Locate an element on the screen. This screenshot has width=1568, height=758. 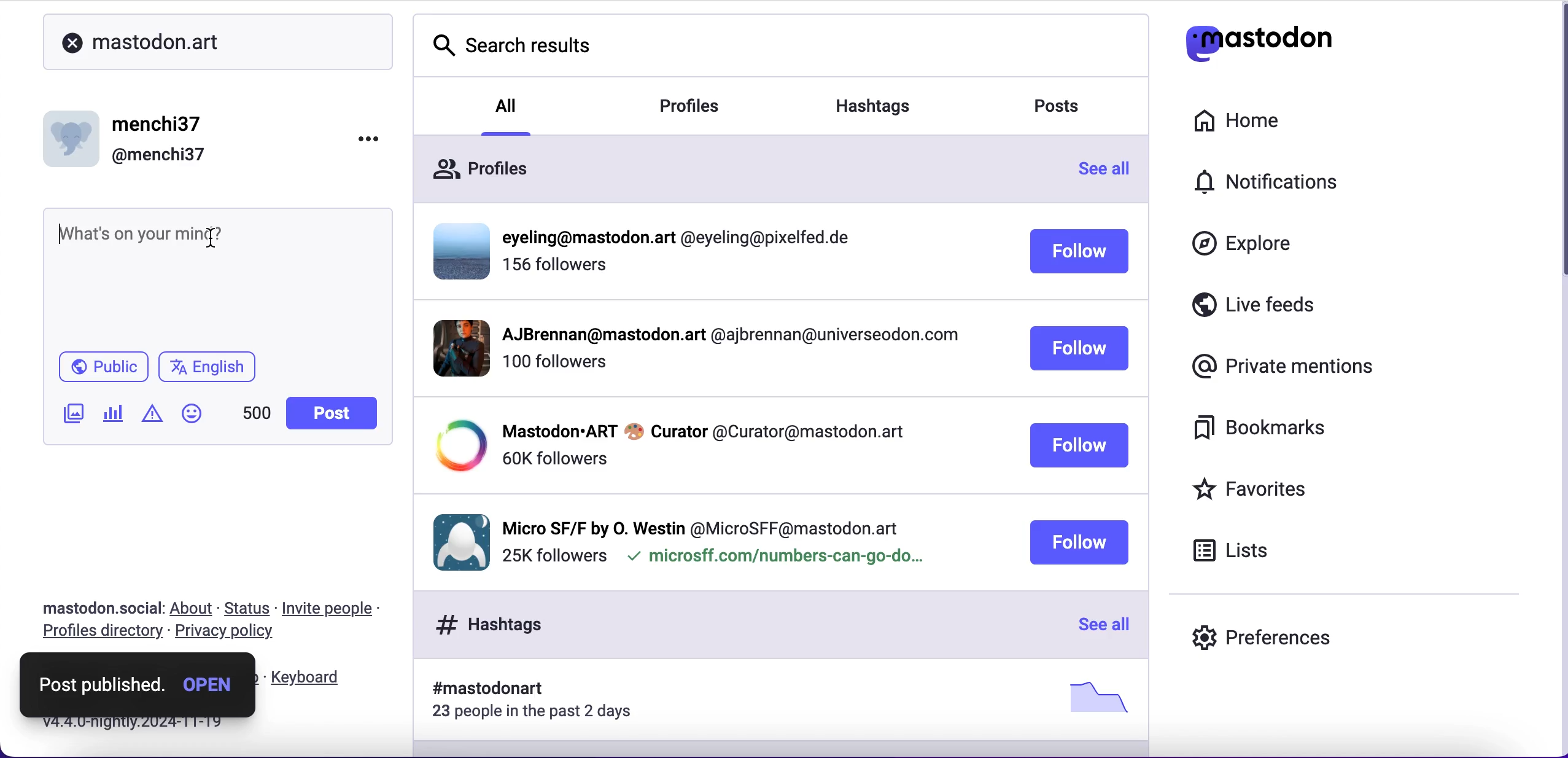
profile is located at coordinates (728, 335).